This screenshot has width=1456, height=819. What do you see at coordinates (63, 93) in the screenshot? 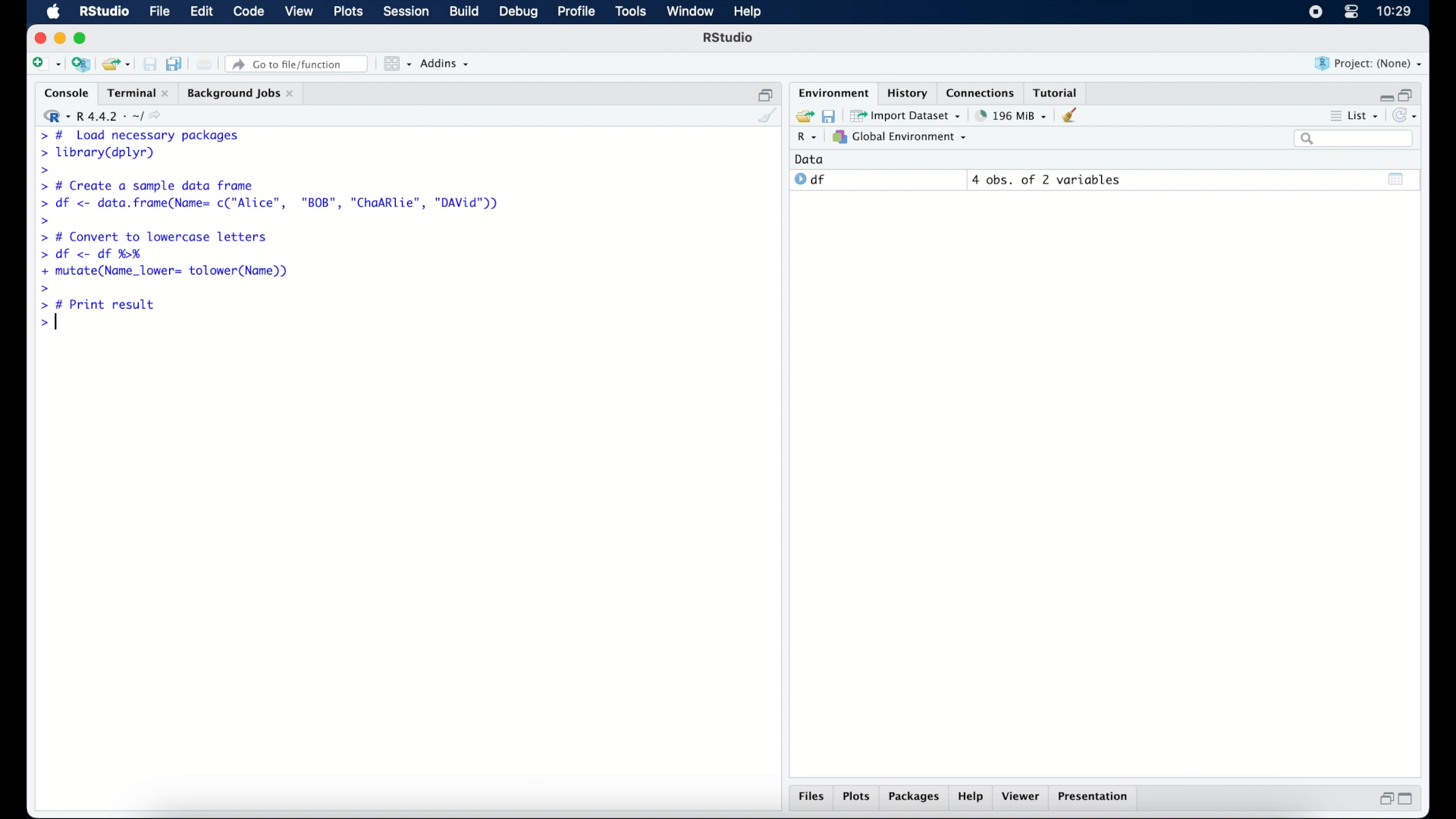
I see `console` at bounding box center [63, 93].